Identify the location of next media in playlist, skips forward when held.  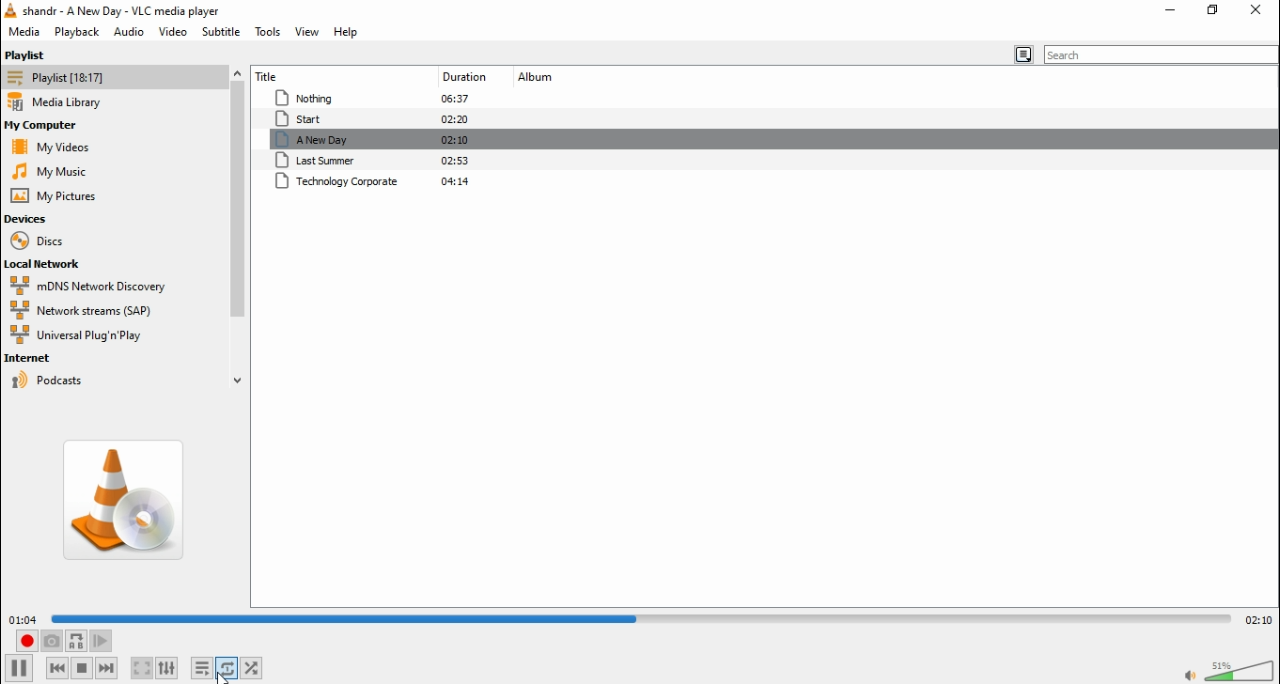
(110, 669).